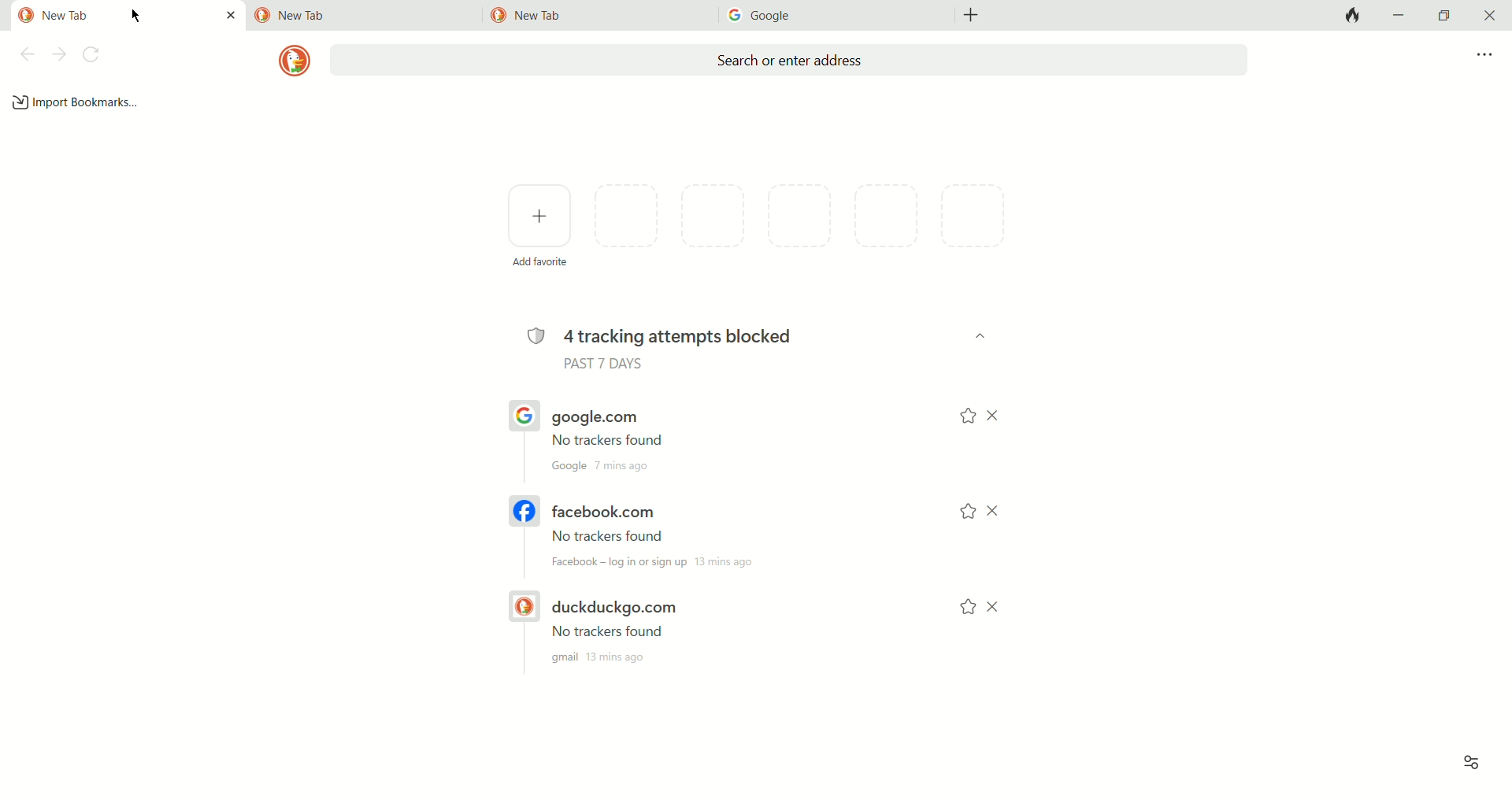 The width and height of the screenshot is (1512, 803). What do you see at coordinates (620, 437) in the screenshot?
I see `google.co link` at bounding box center [620, 437].